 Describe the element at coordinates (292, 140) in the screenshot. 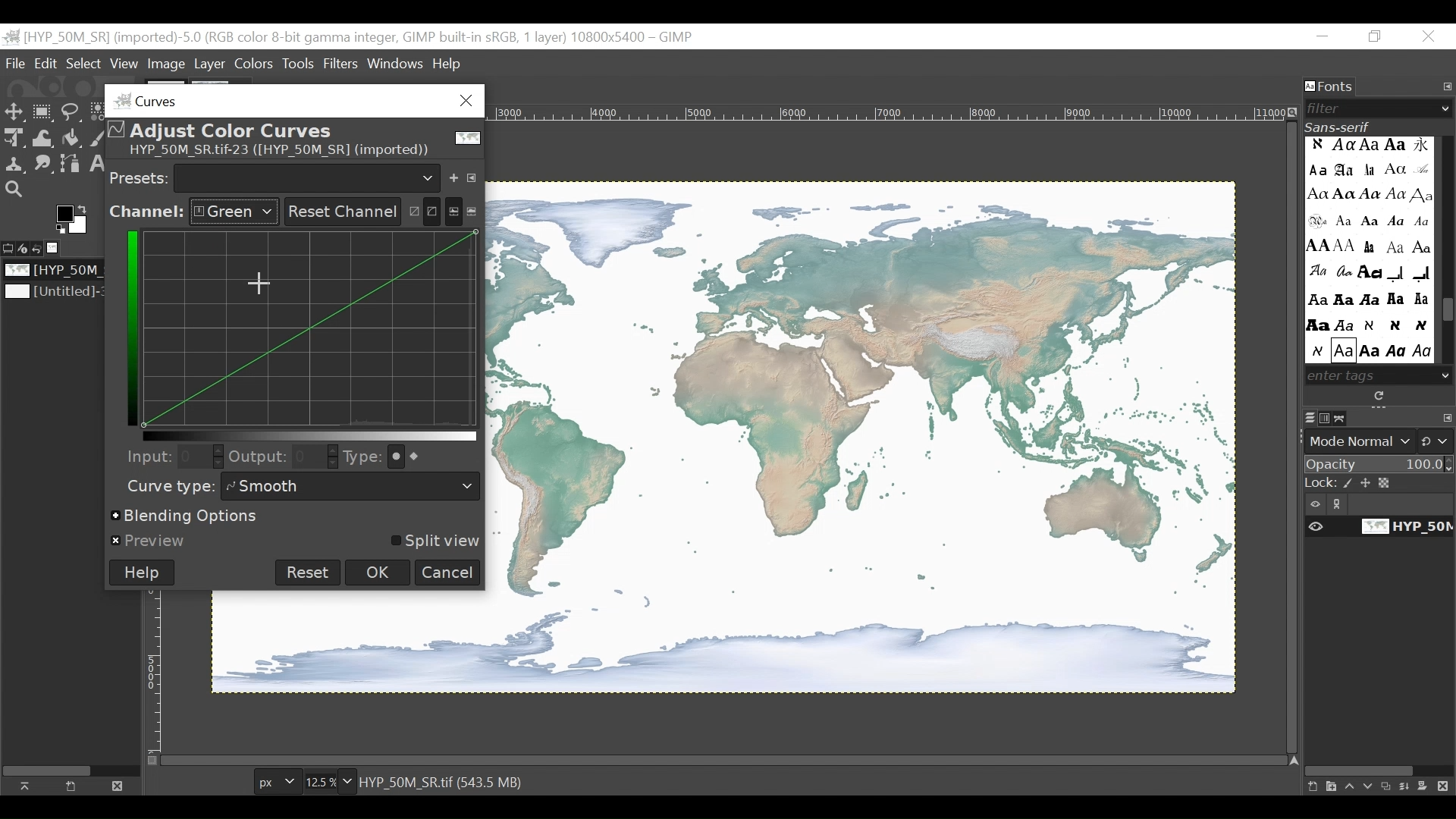

I see `Adjust Color Curves for the Image` at that location.